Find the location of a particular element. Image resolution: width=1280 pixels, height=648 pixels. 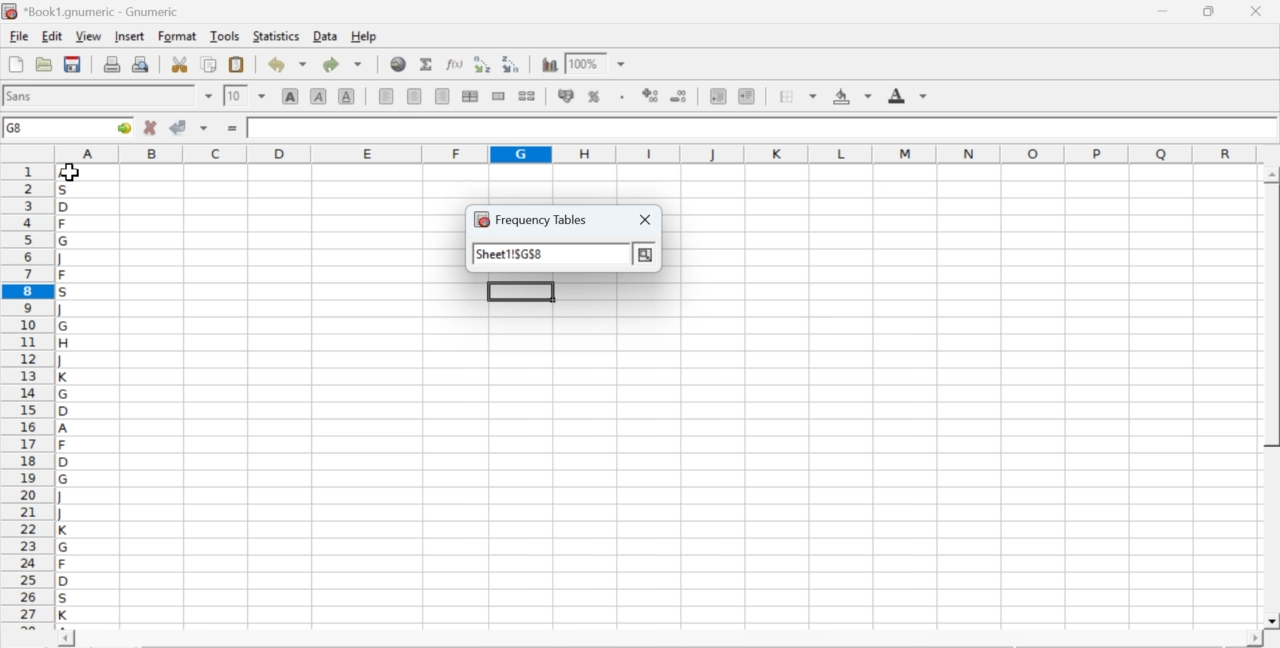

restore down is located at coordinates (1210, 12).